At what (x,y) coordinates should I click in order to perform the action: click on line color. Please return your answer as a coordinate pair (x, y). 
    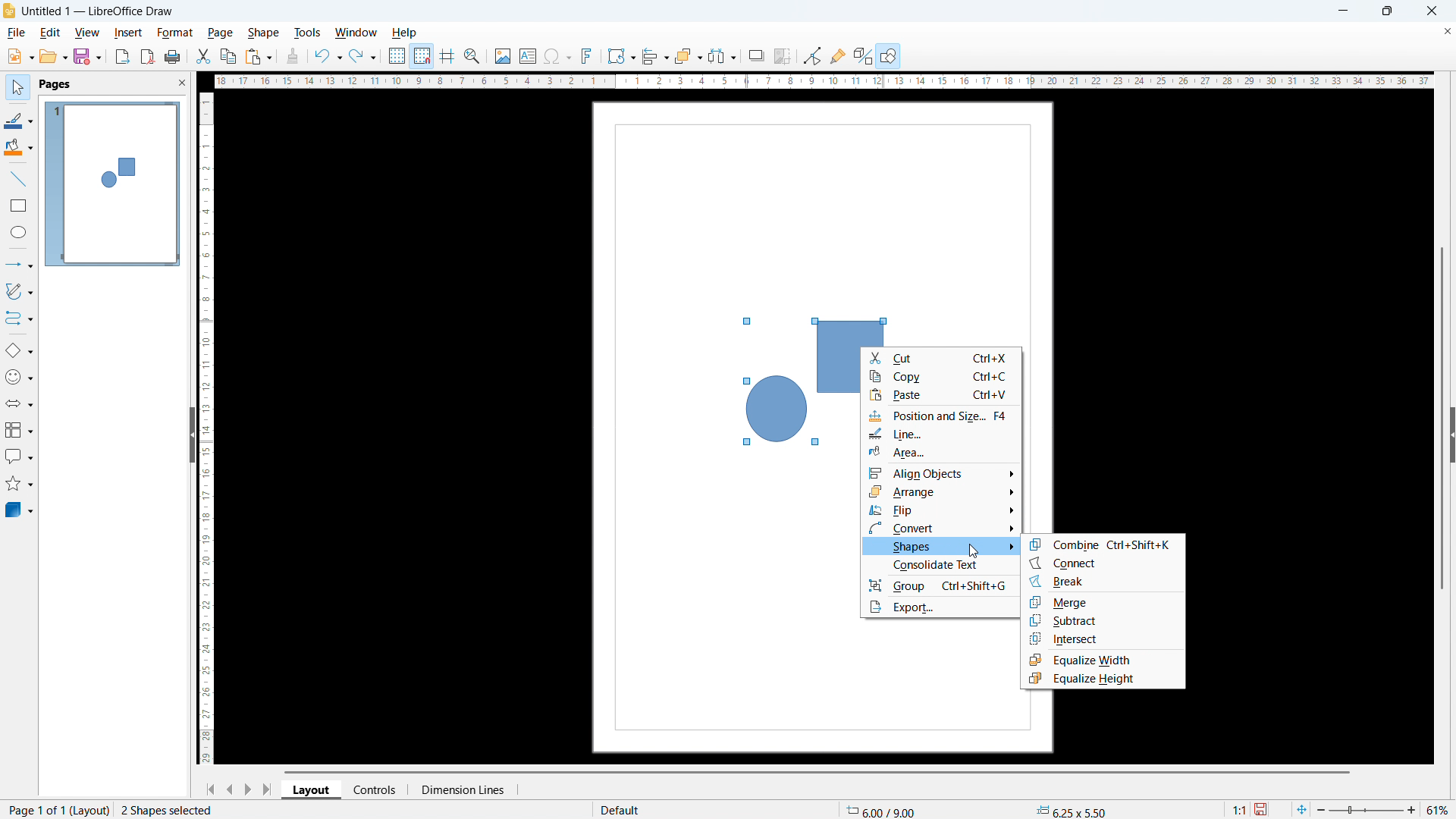
    Looking at the image, I should click on (20, 121).